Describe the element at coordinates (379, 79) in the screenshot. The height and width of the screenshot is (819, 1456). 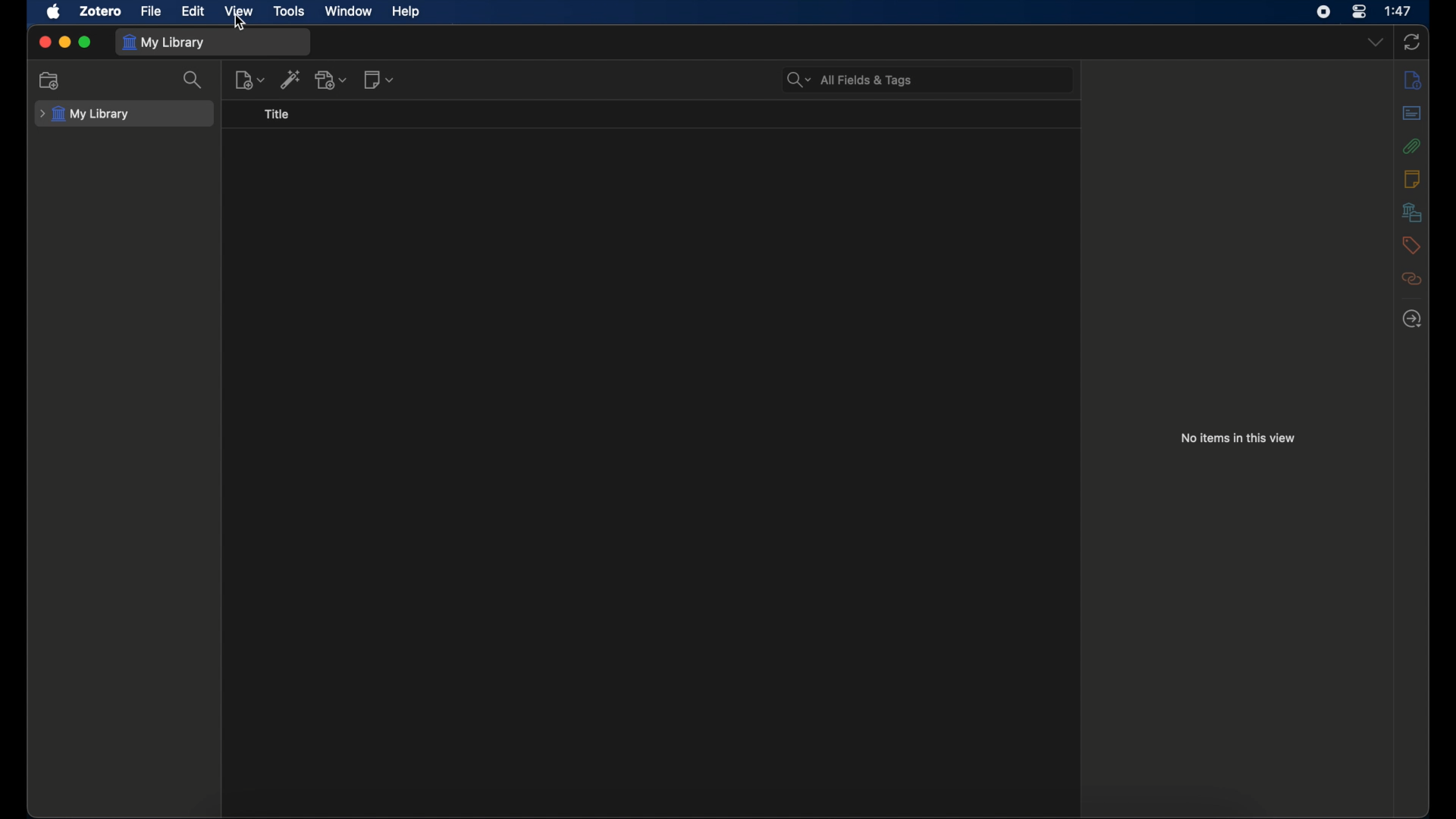
I see `new notes` at that location.